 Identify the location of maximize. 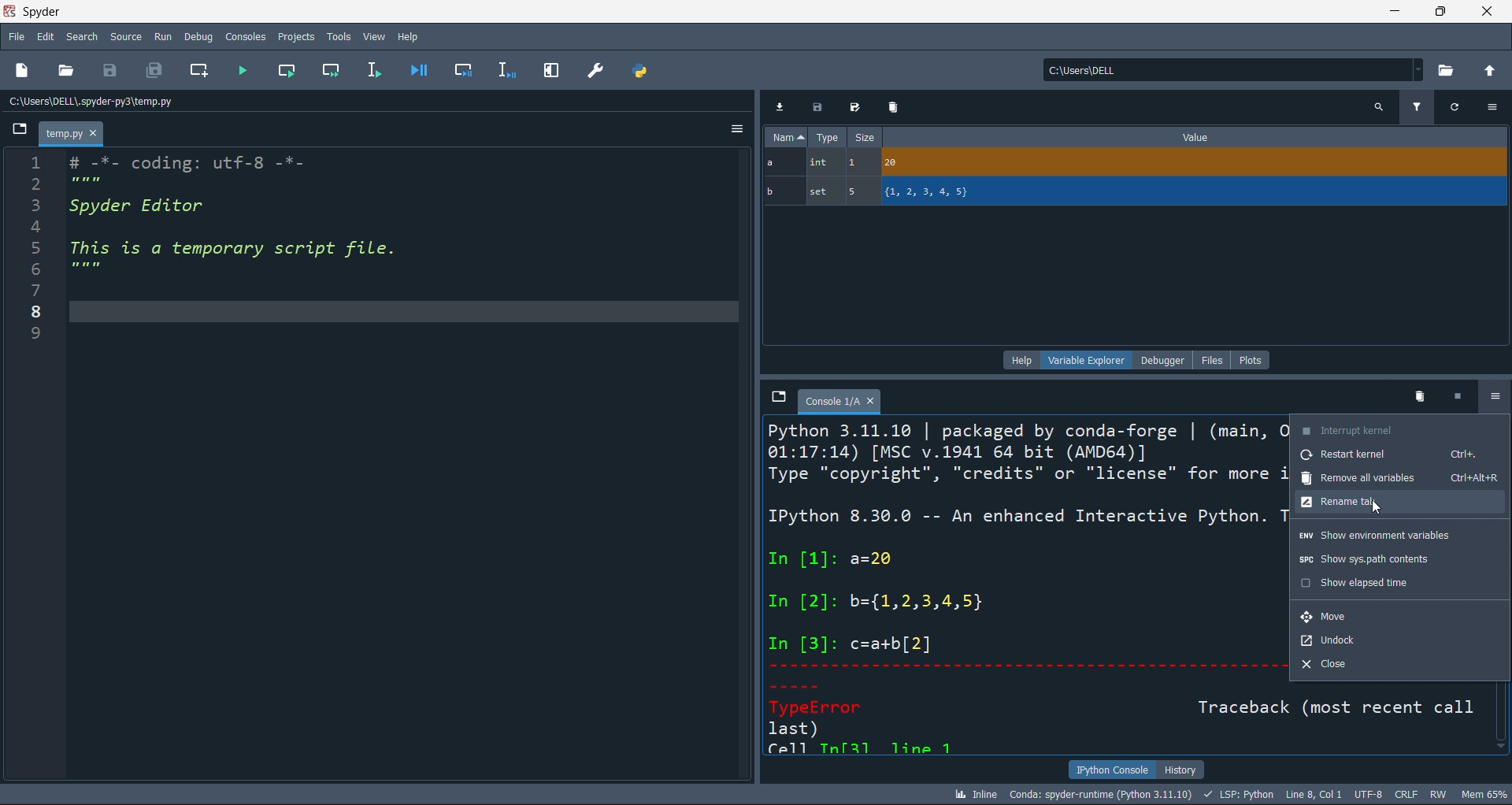
(1439, 11).